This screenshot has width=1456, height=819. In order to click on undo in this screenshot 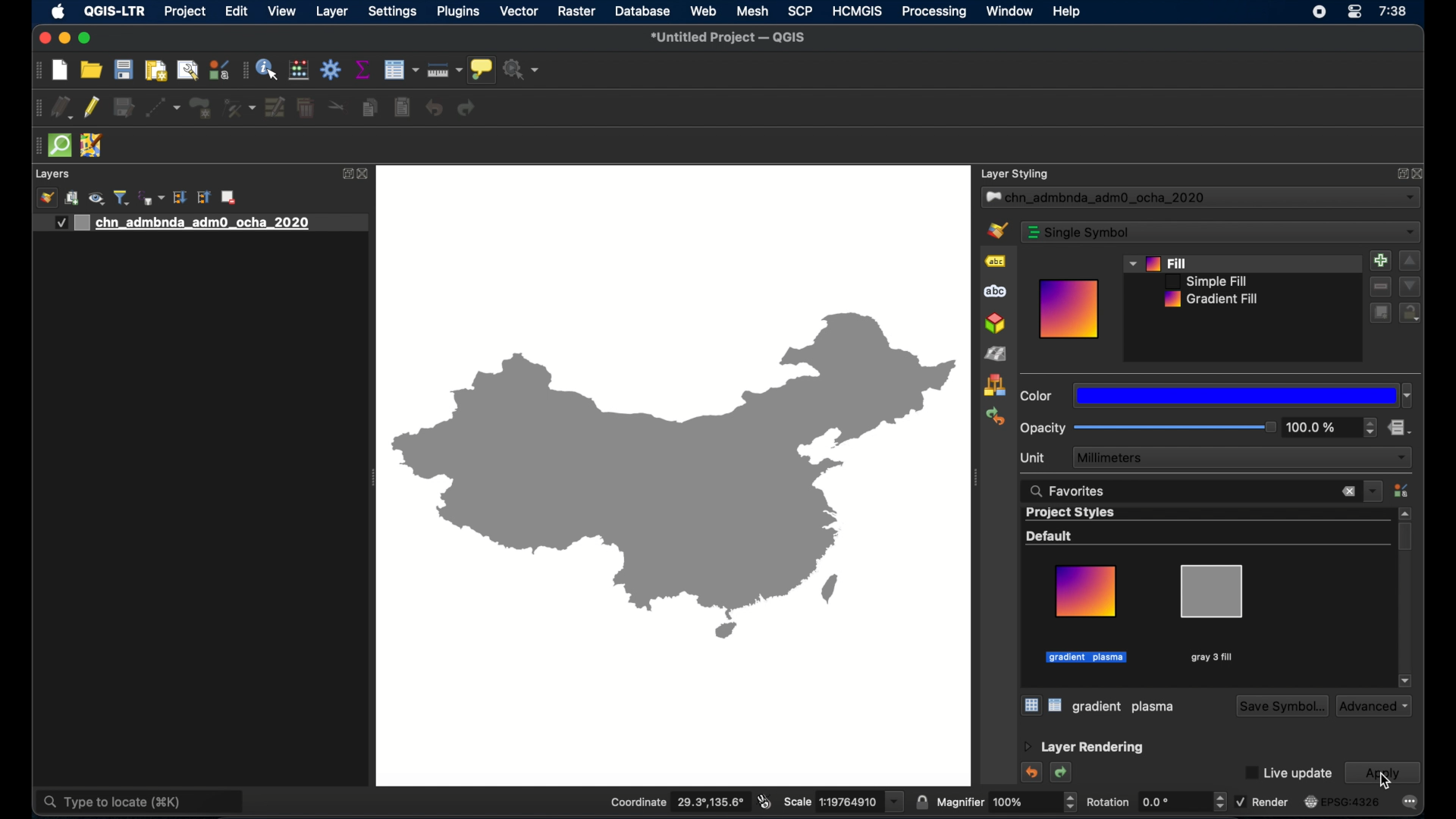, I will do `click(435, 108)`.